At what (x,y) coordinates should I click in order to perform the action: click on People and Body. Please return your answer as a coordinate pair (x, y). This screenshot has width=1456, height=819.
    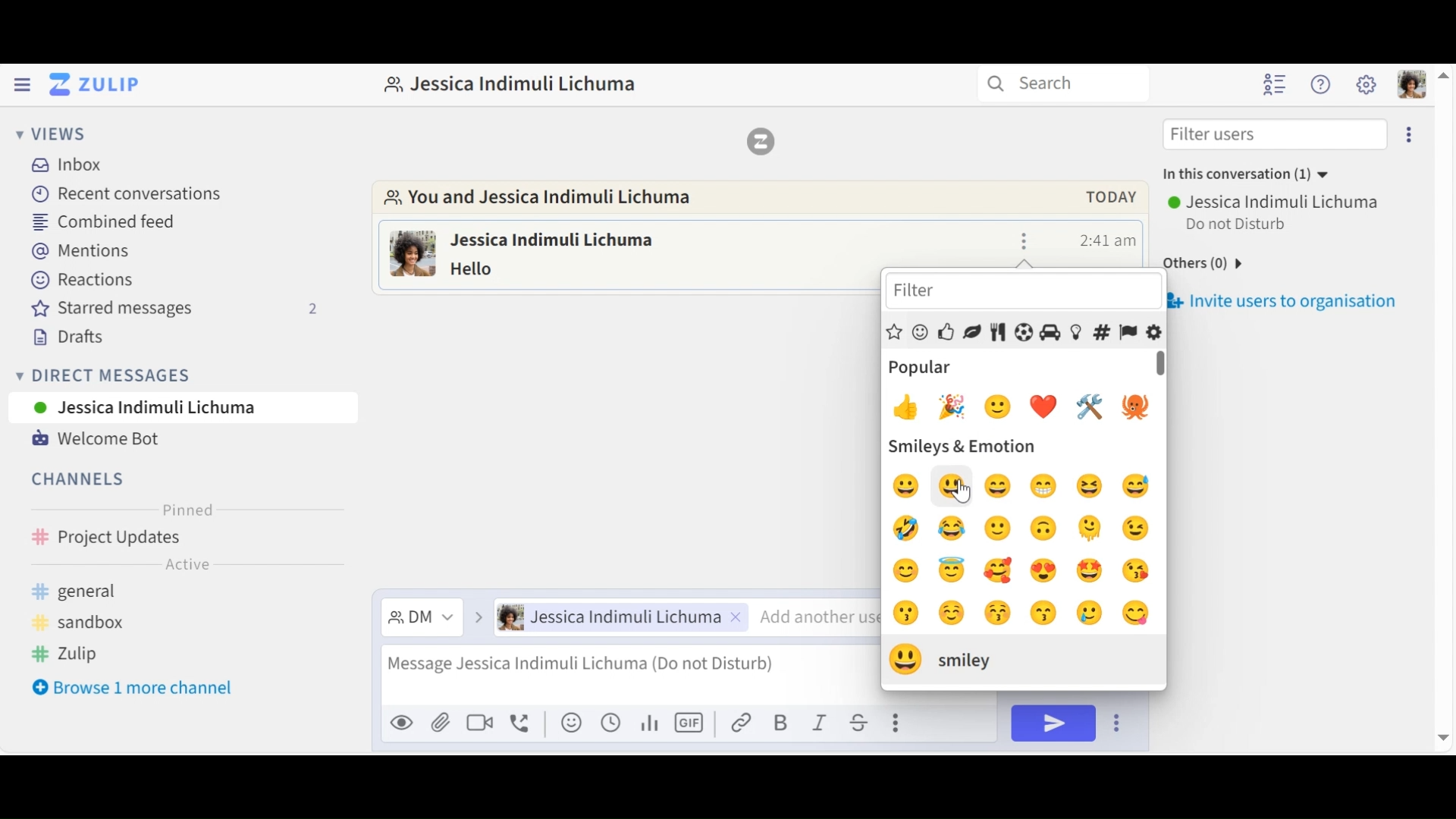
    Looking at the image, I should click on (945, 333).